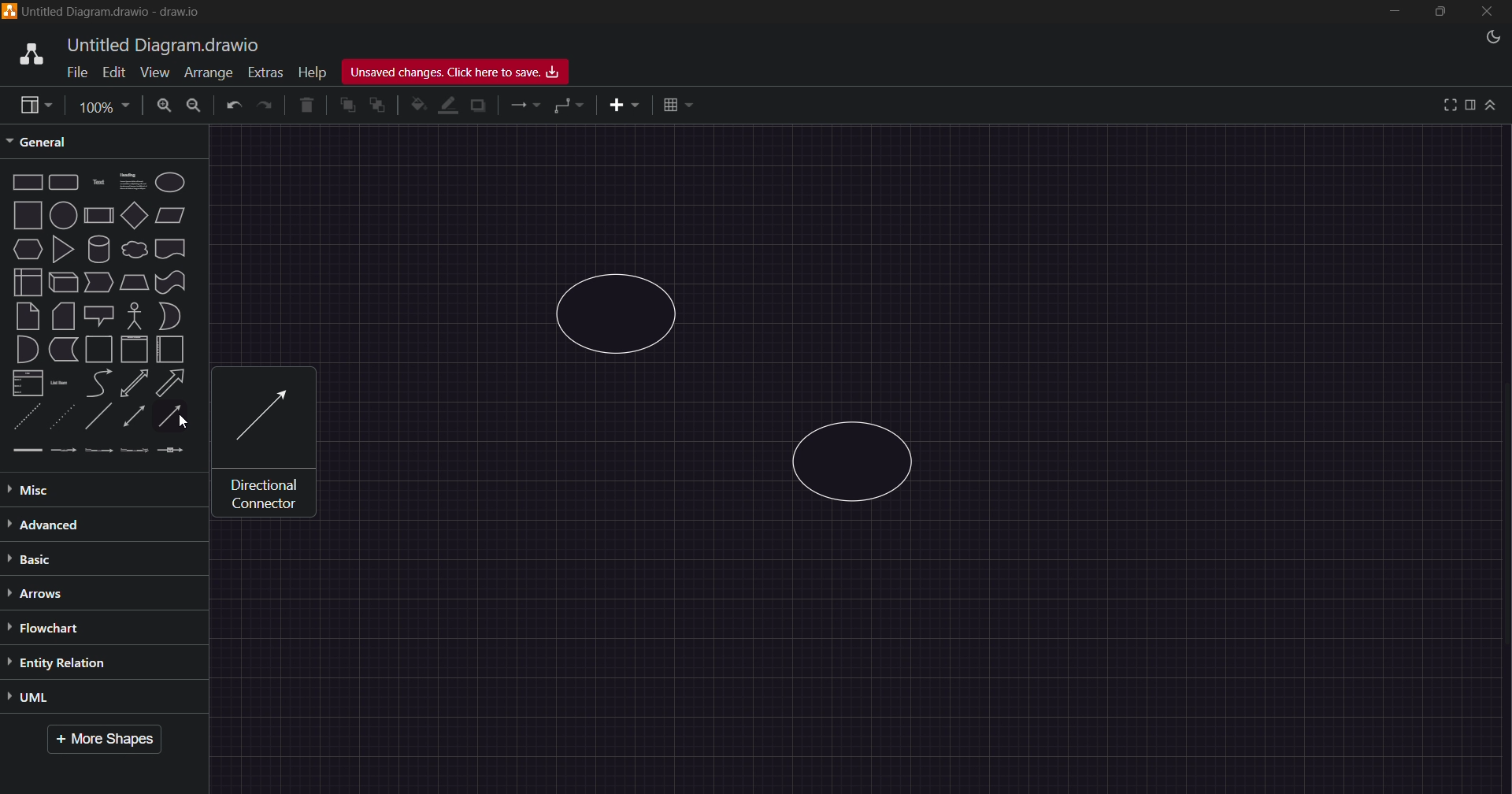 The height and width of the screenshot is (794, 1512). Describe the element at coordinates (148, 72) in the screenshot. I see `View` at that location.